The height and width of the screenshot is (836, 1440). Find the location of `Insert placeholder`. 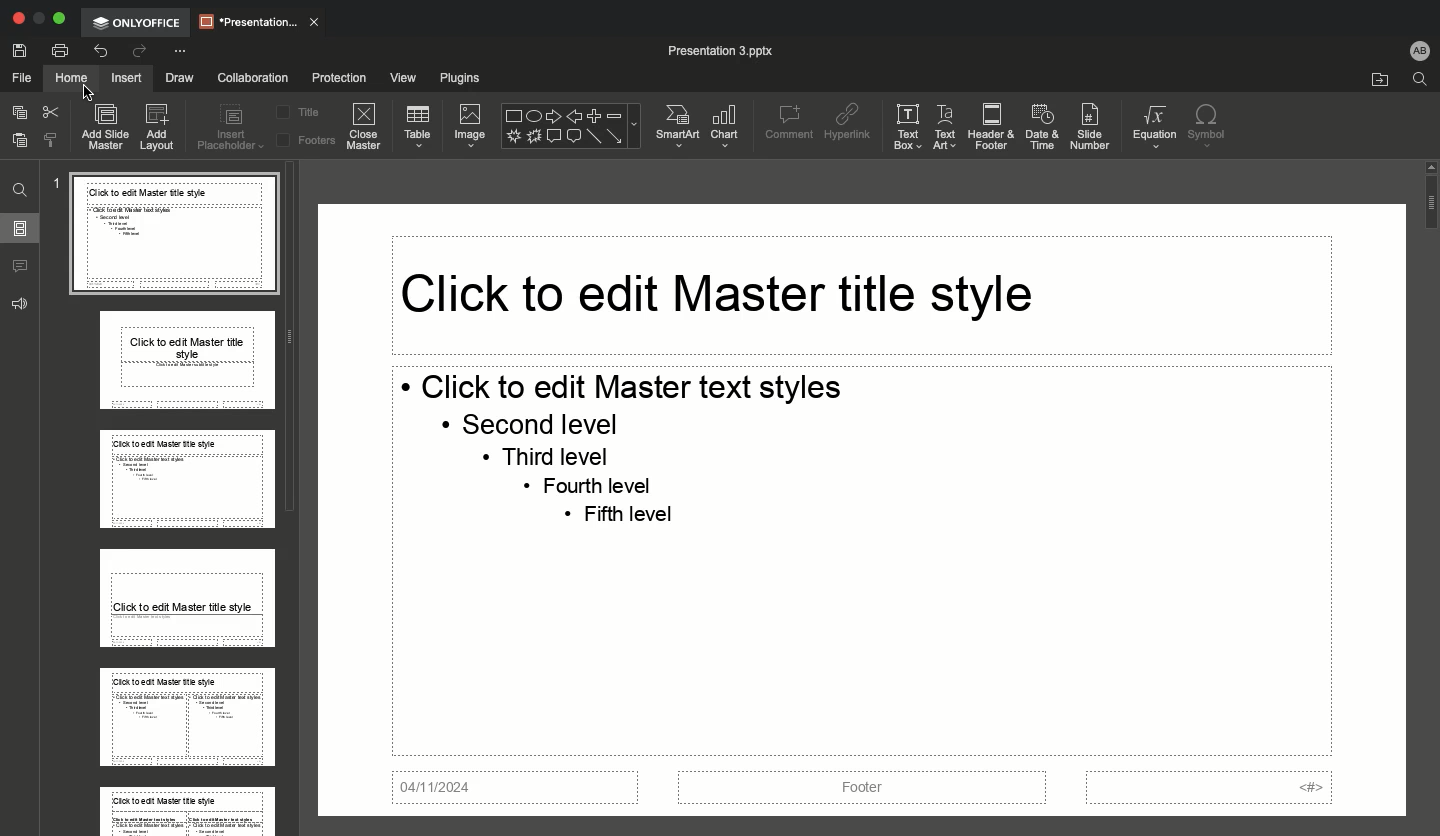

Insert placeholder is located at coordinates (232, 130).